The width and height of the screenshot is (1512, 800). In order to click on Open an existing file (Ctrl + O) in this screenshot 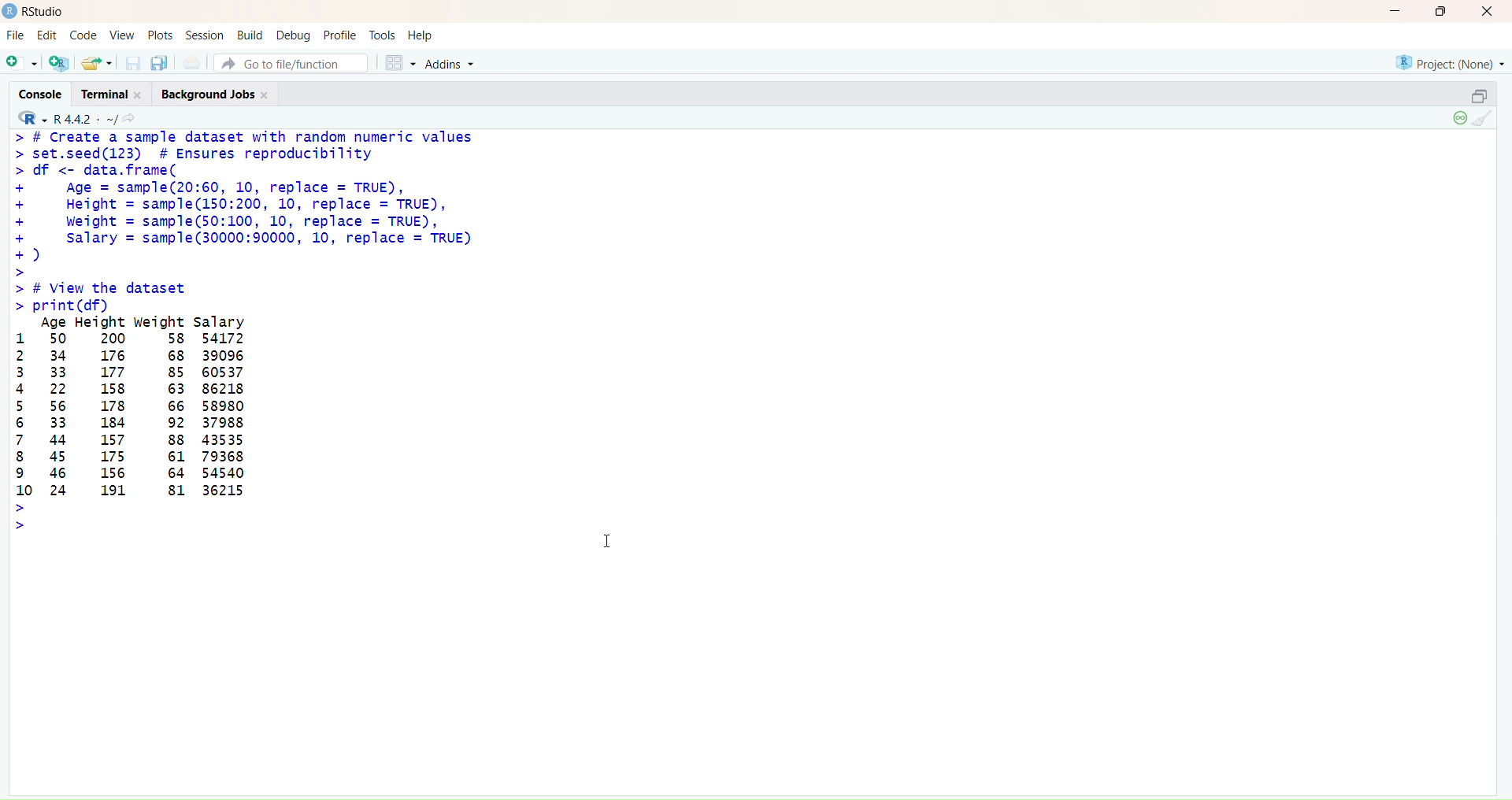, I will do `click(95, 62)`.